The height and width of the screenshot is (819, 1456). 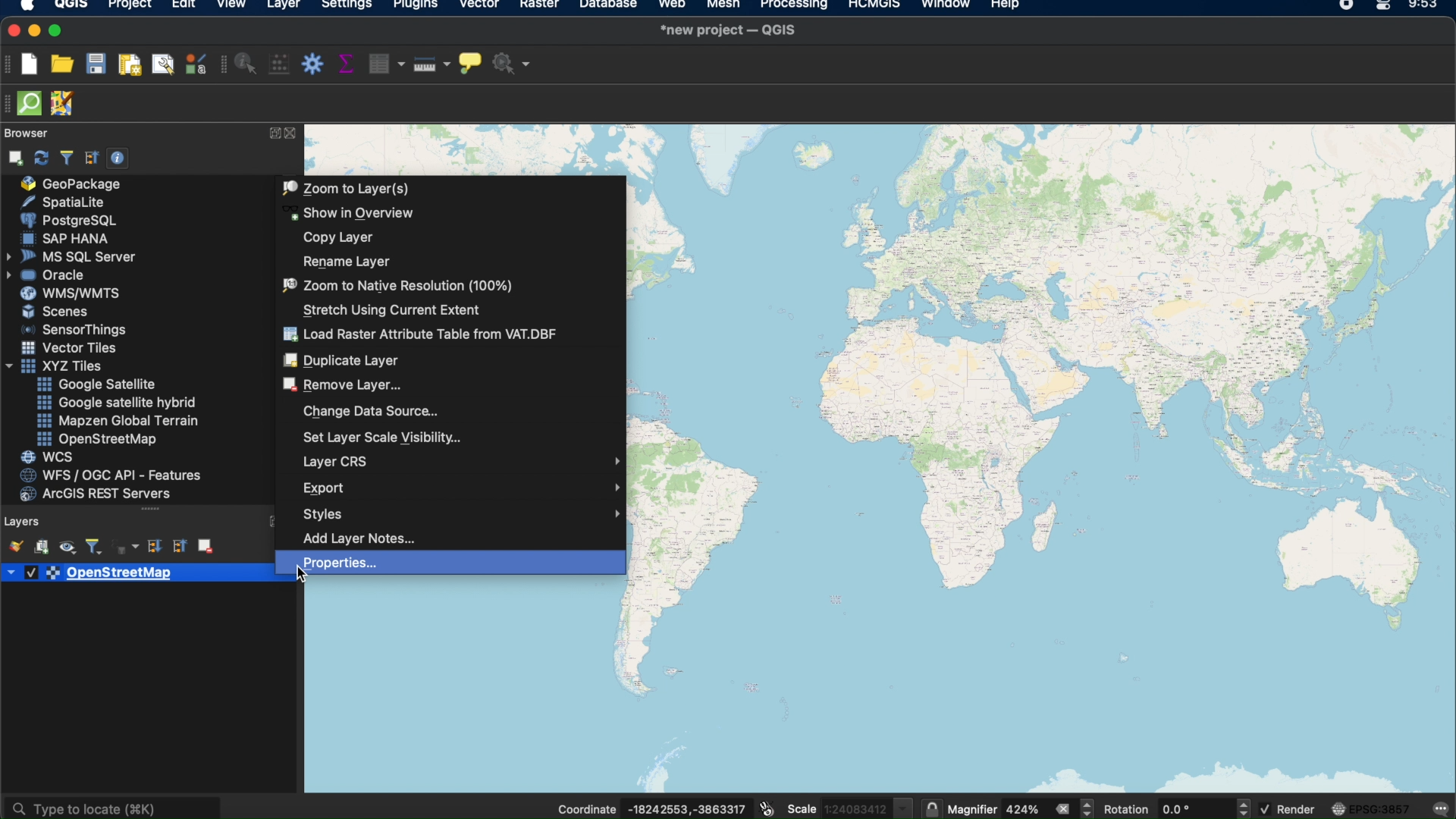 I want to click on open the layer styling panel, so click(x=14, y=545).